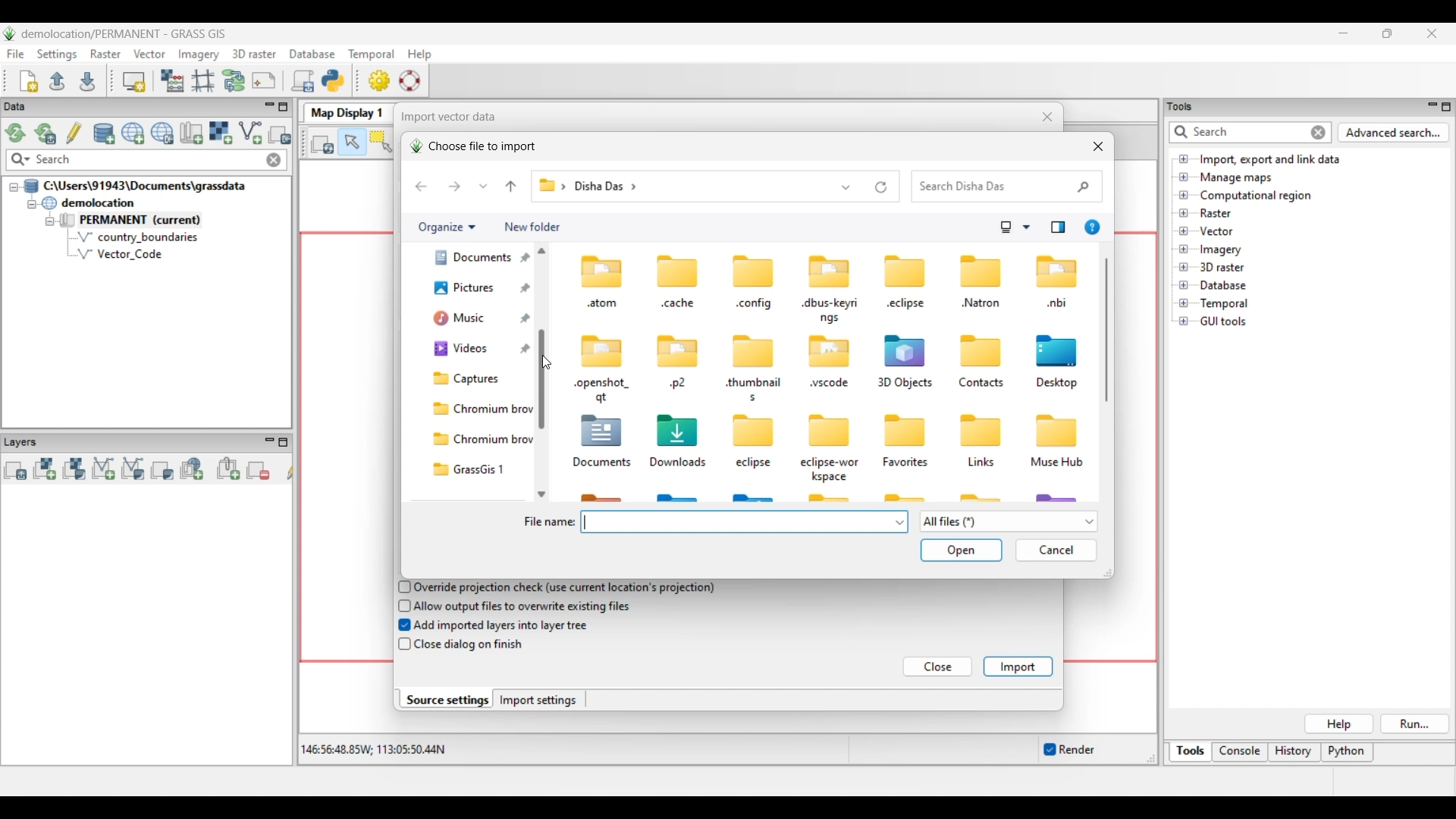  Describe the element at coordinates (87, 80) in the screenshot. I see `Save current workspace to file` at that location.